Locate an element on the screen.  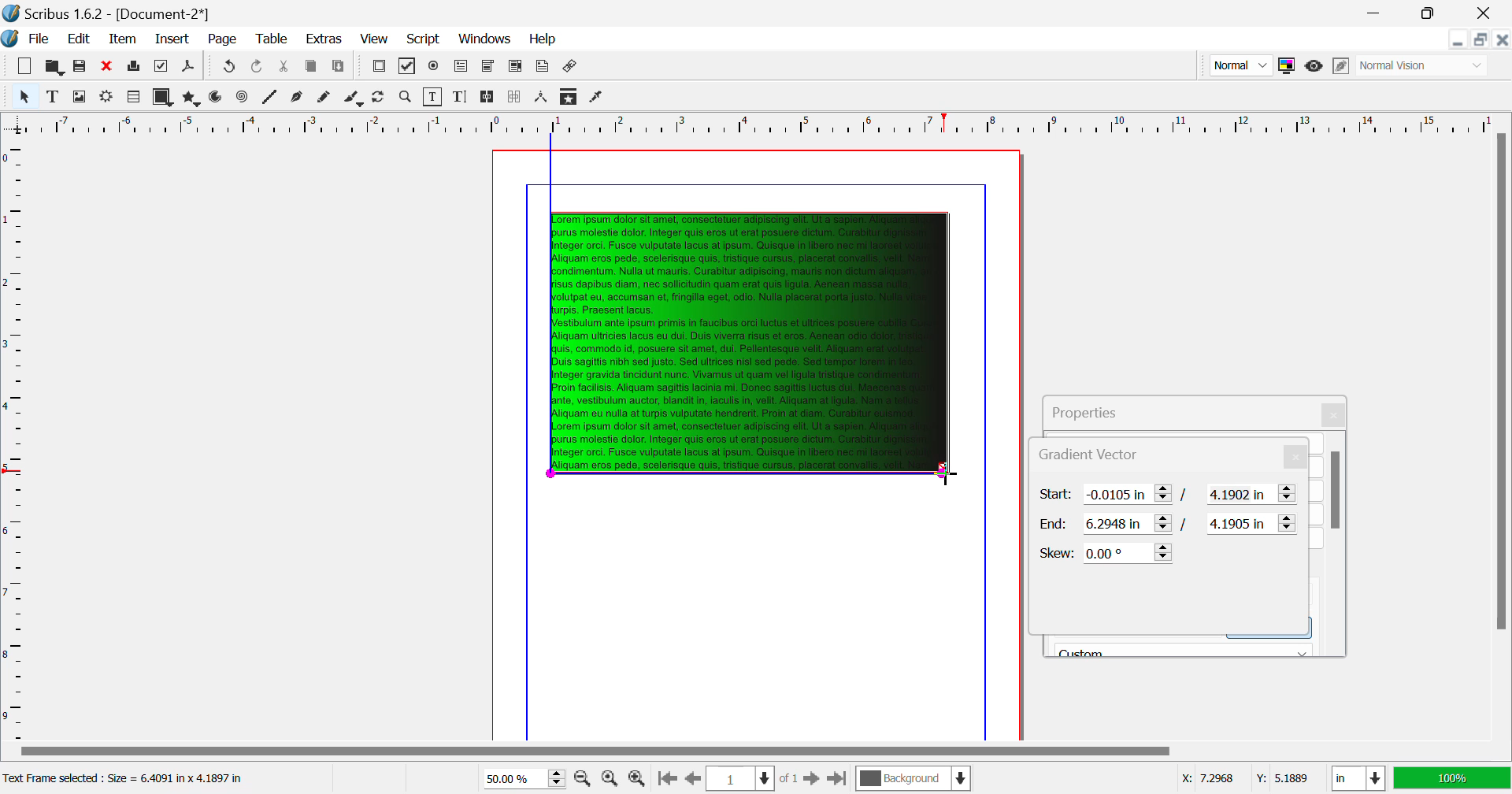
Edit Contents of Frame is located at coordinates (434, 97).